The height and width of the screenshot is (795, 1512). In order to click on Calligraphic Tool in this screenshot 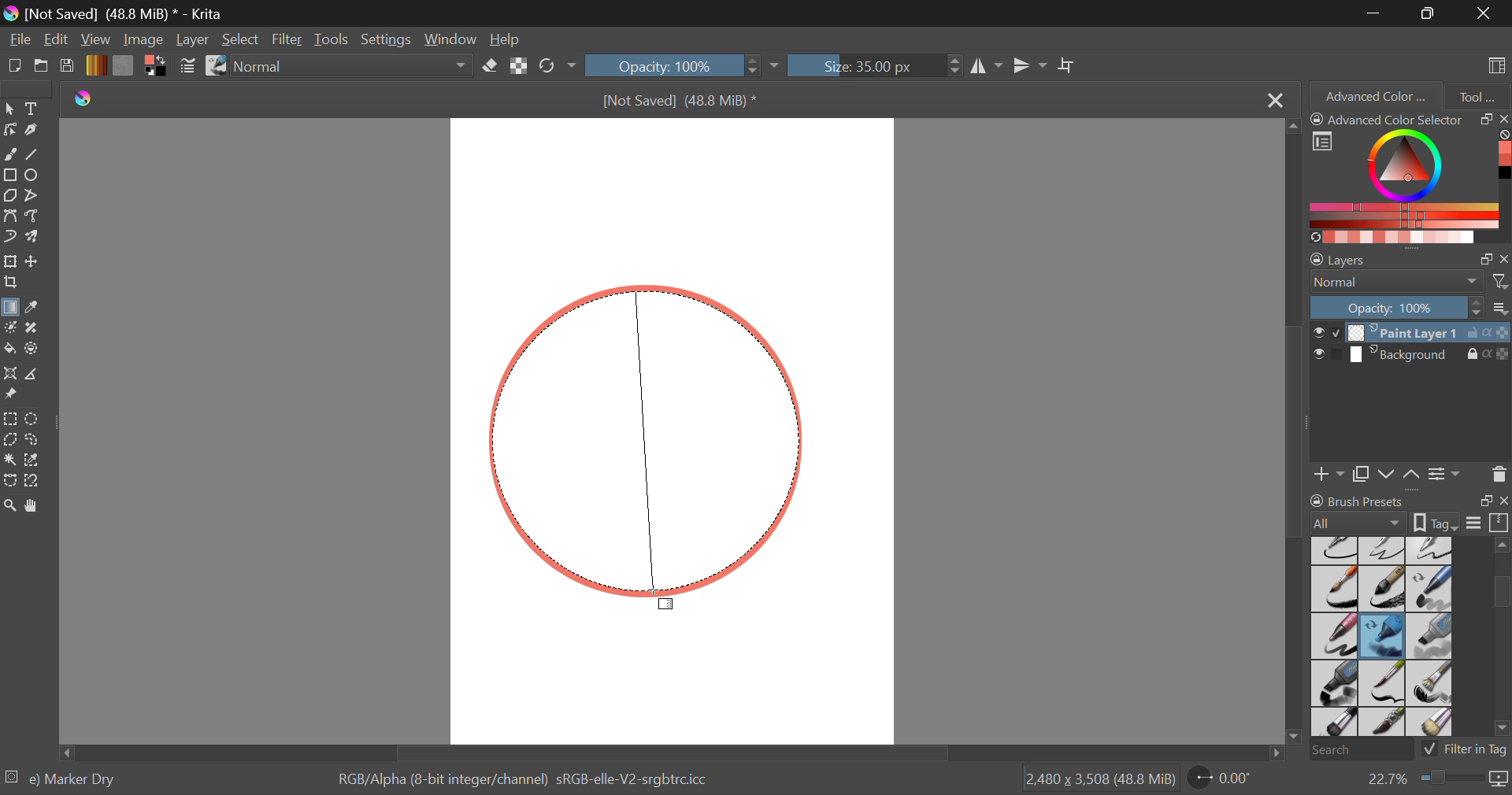, I will do `click(35, 130)`.